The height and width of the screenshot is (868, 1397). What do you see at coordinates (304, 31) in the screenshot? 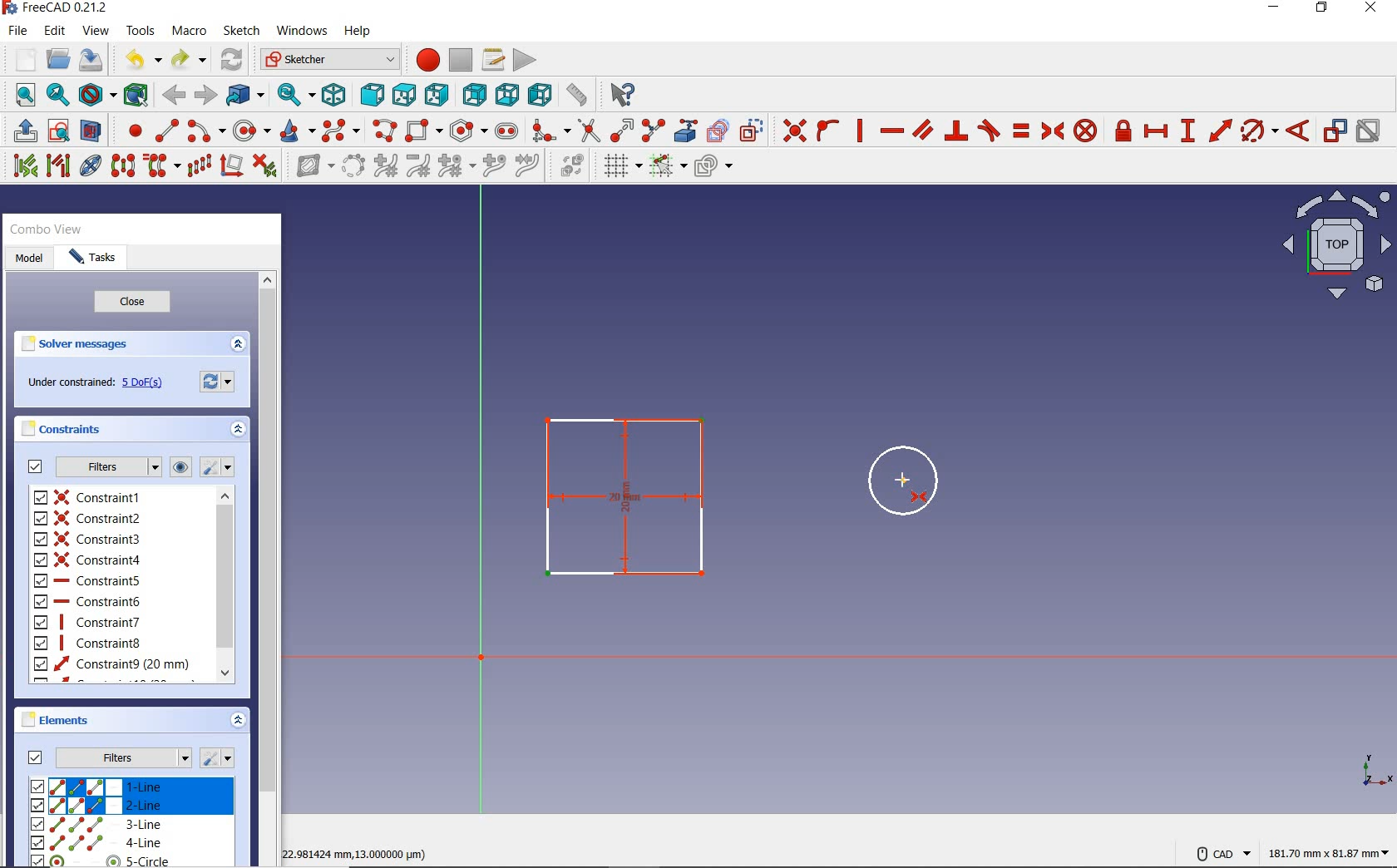
I see `windows` at bounding box center [304, 31].